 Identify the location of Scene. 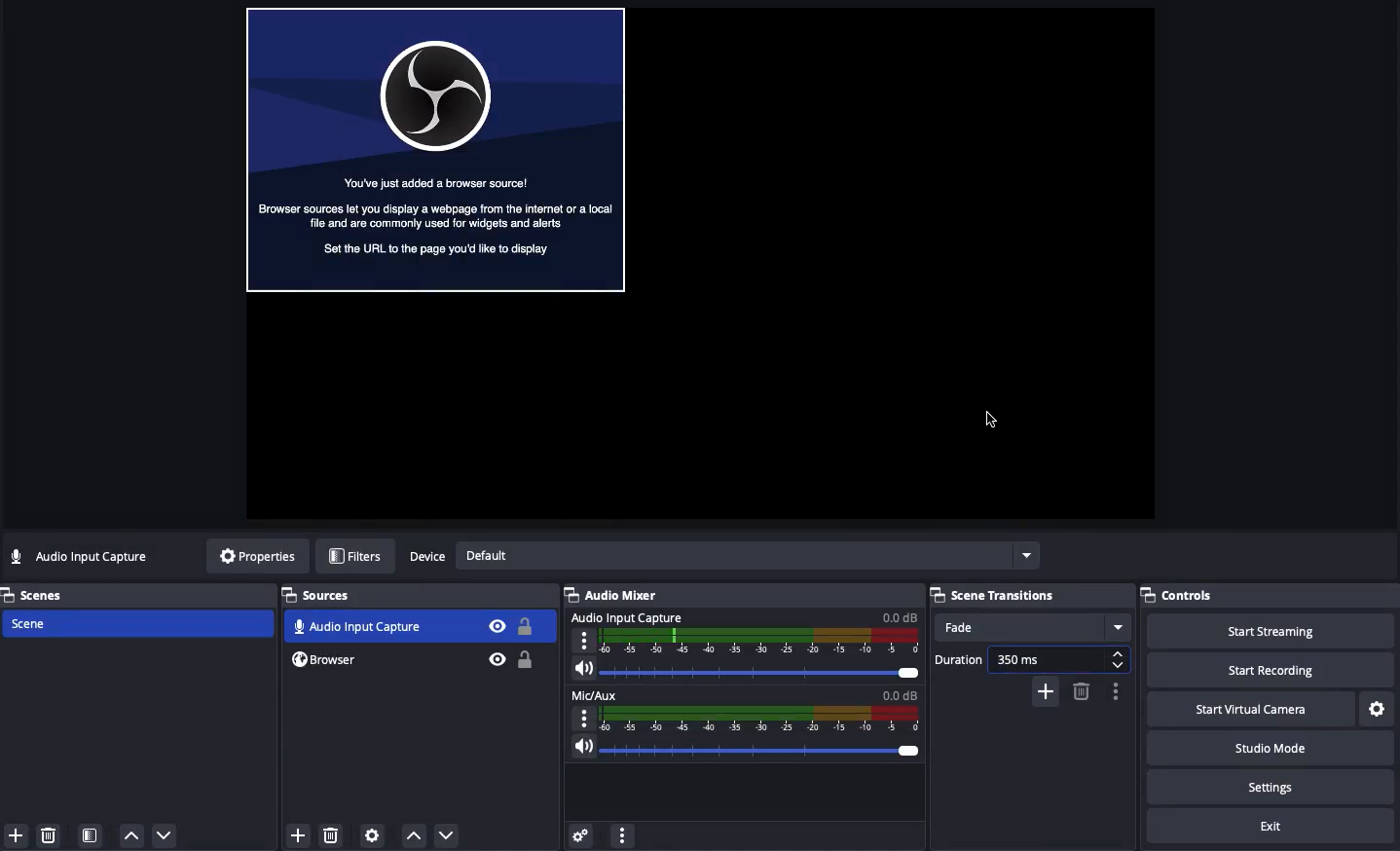
(142, 624).